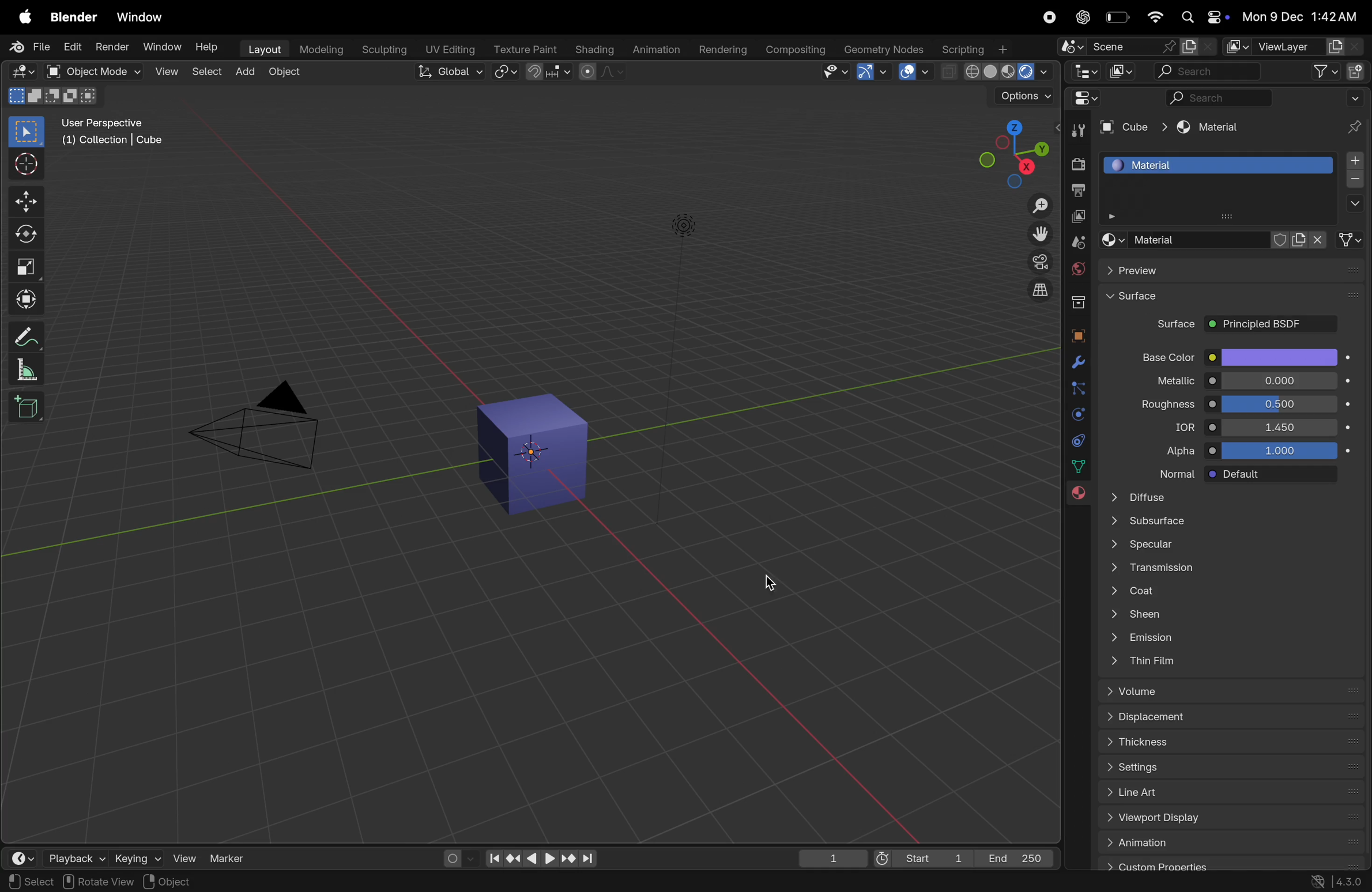 Image resolution: width=1372 pixels, height=892 pixels. Describe the element at coordinates (1280, 357) in the screenshot. I see `color options` at that location.